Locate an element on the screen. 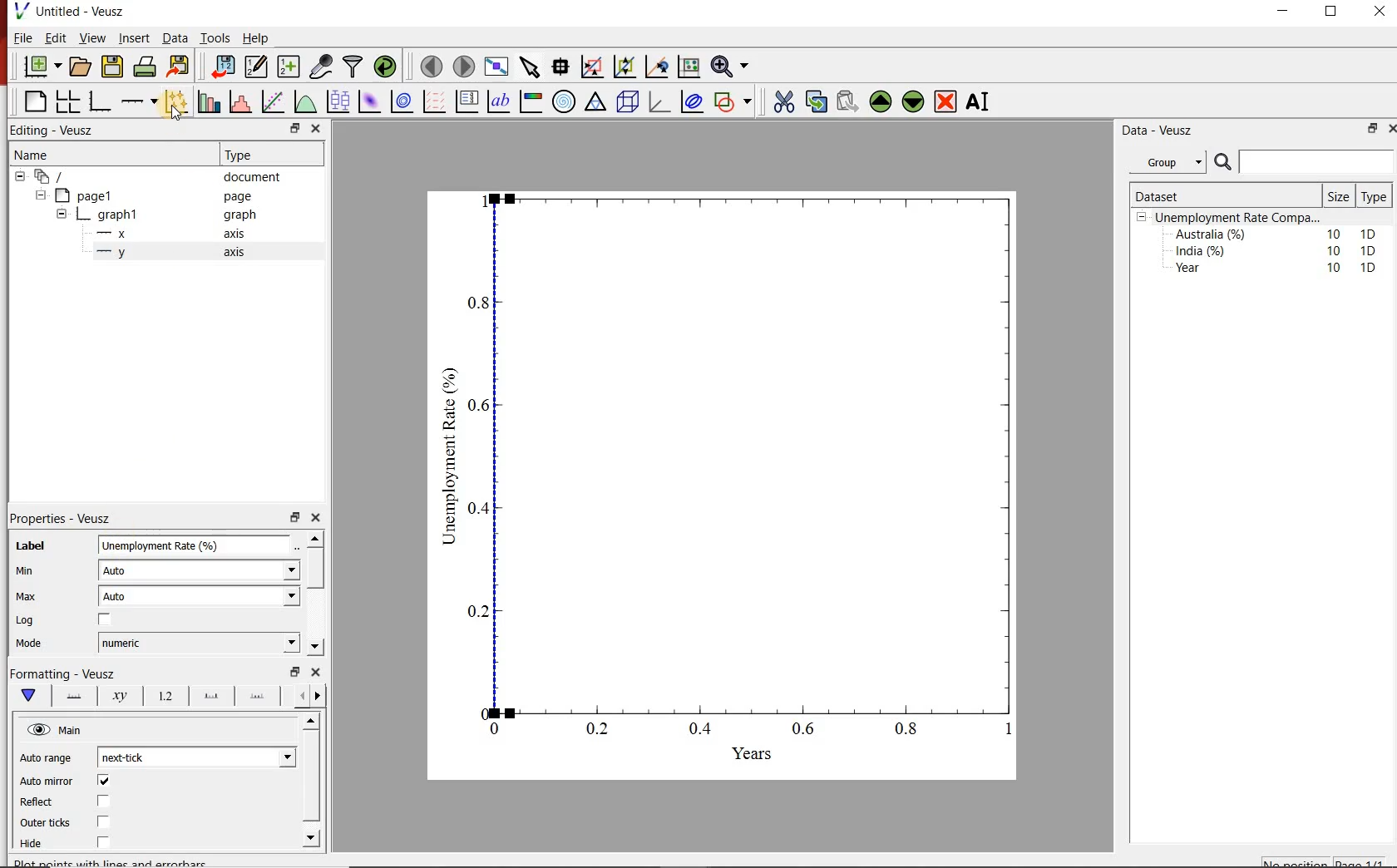 This screenshot has height=868, width=1397. base graphs is located at coordinates (101, 101).